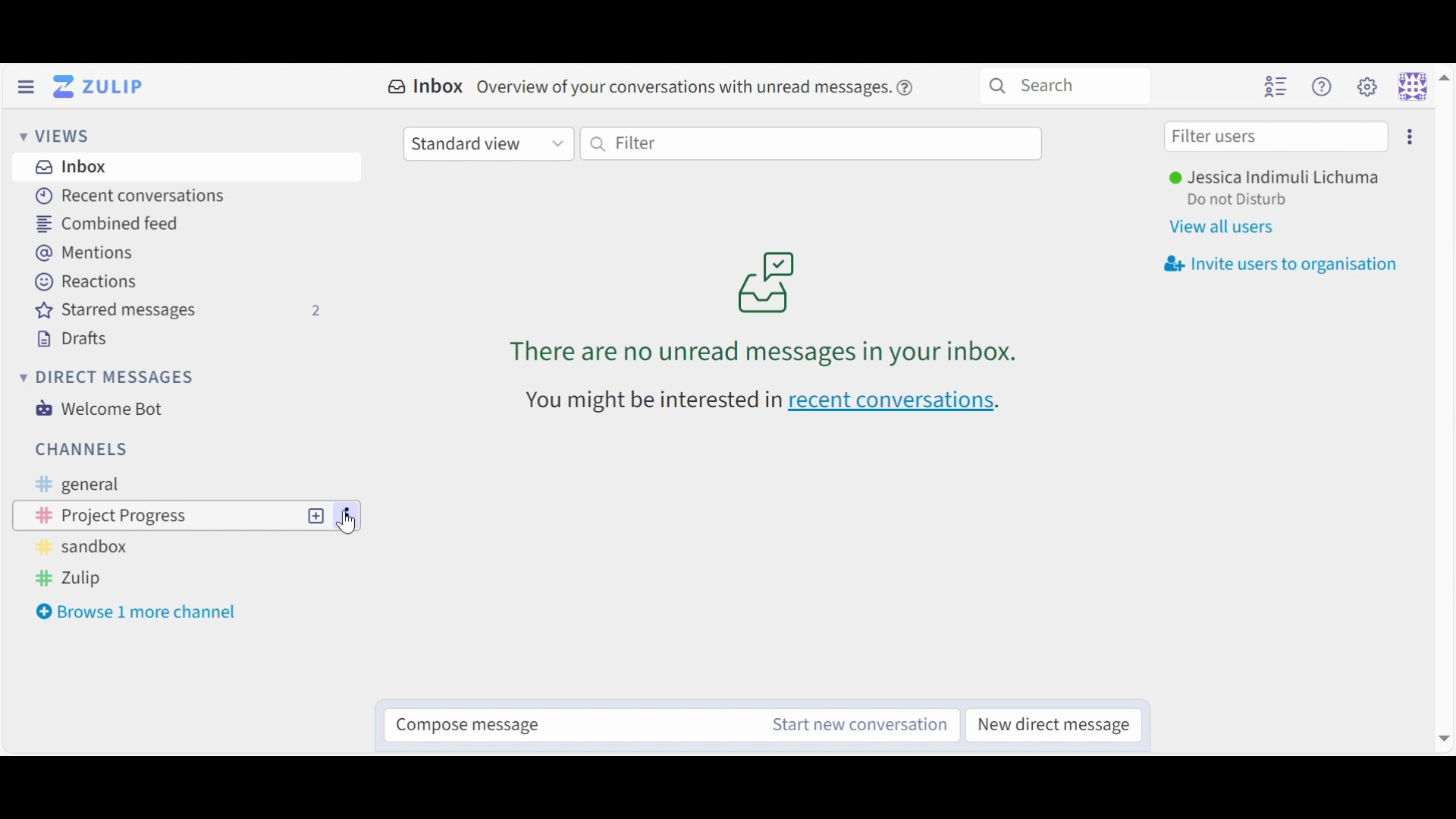 The height and width of the screenshot is (819, 1456). I want to click on Recent Conversations, so click(129, 197).